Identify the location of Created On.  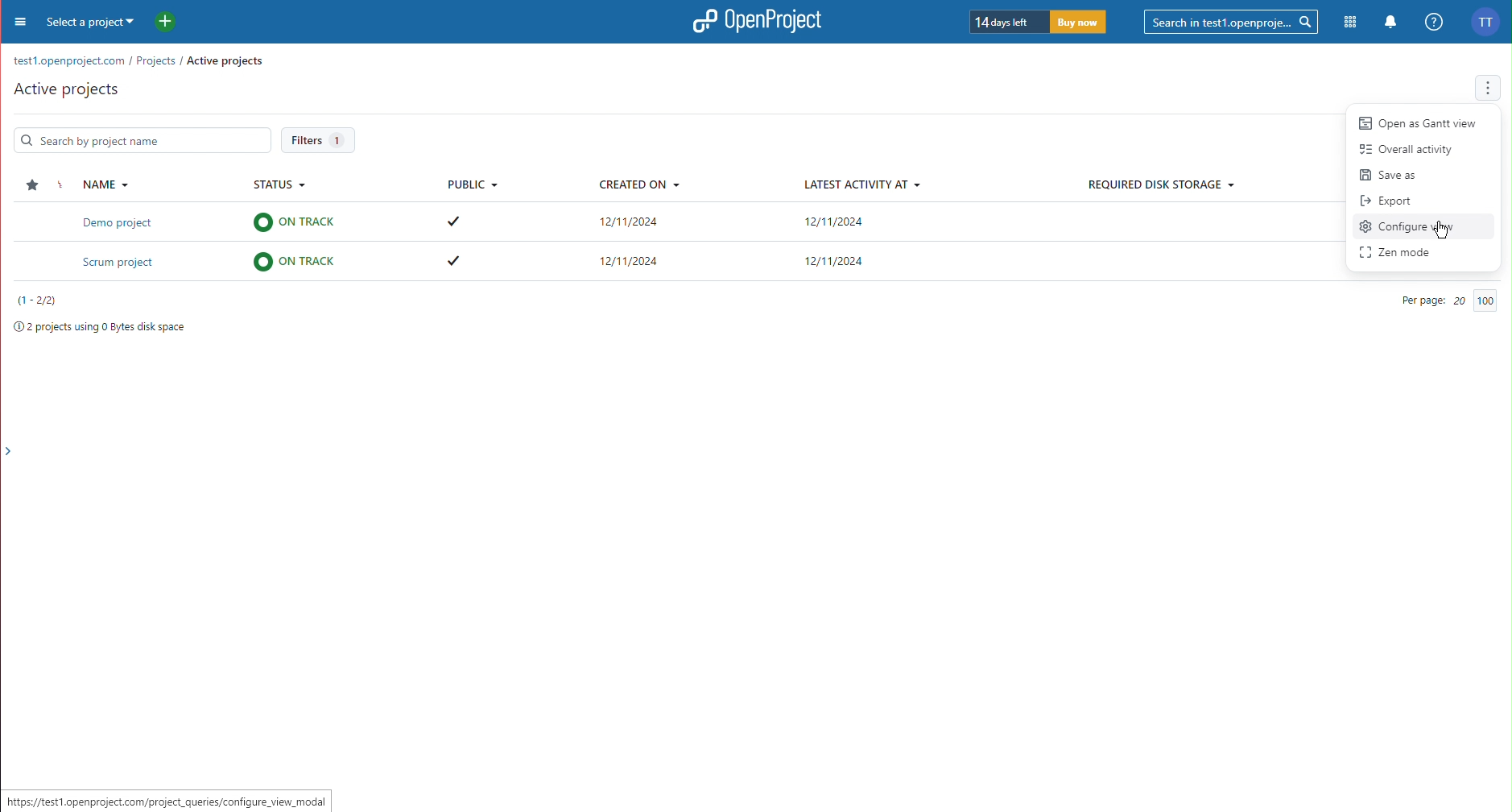
(638, 184).